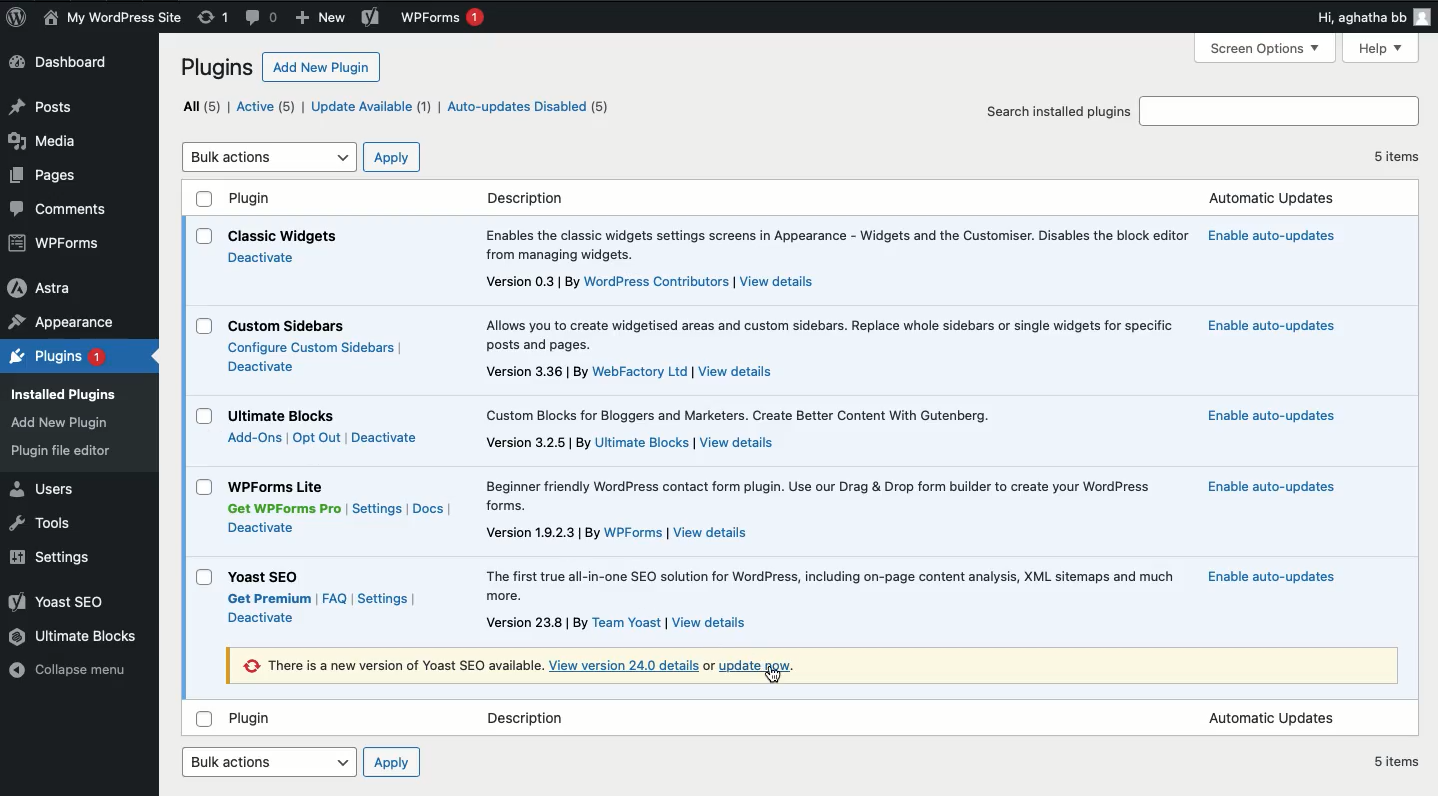 Image resolution: width=1438 pixels, height=796 pixels. Describe the element at coordinates (1278, 112) in the screenshot. I see `Search plugins` at that location.